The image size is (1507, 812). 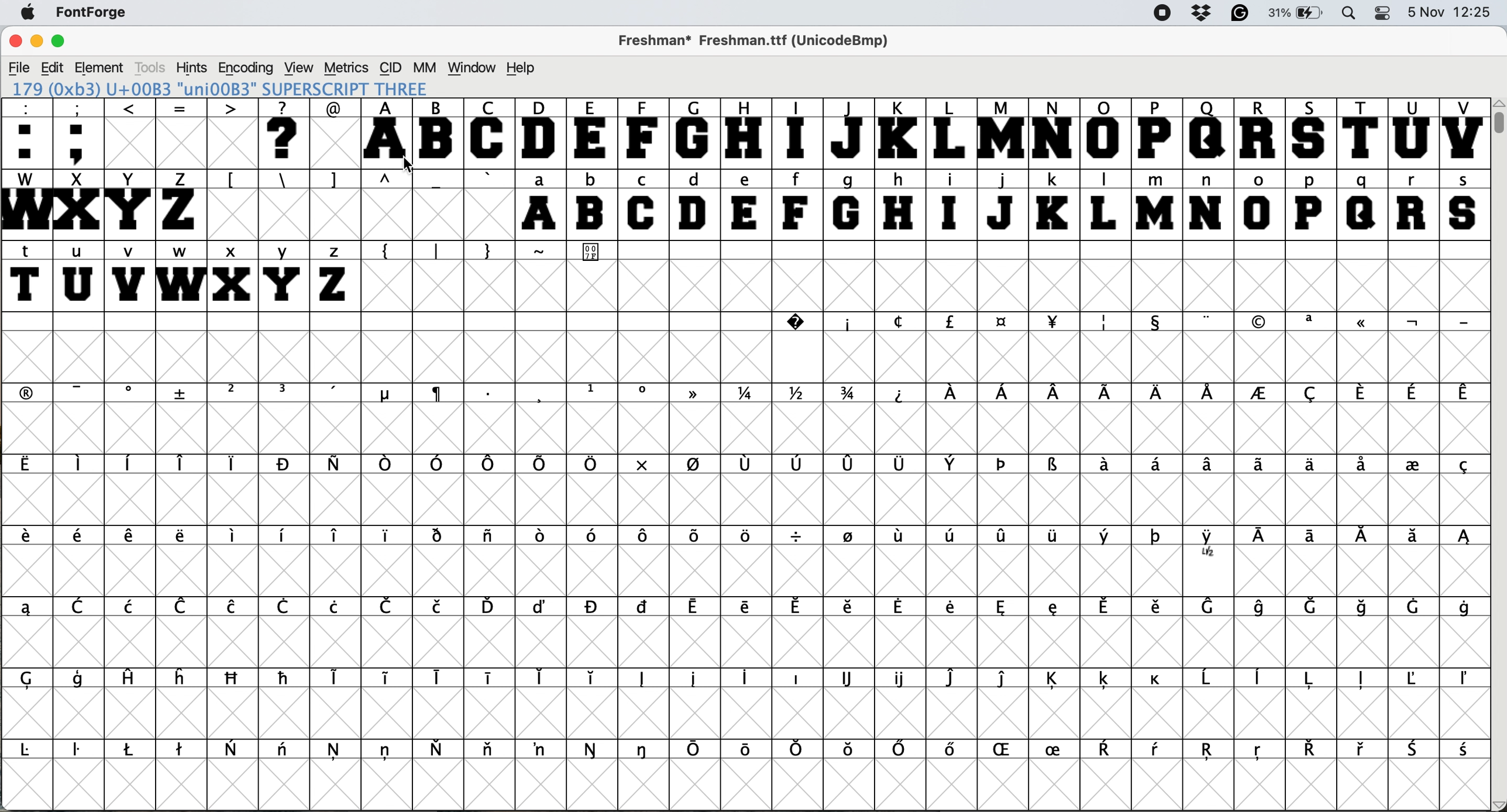 What do you see at coordinates (1054, 392) in the screenshot?
I see `symbol` at bounding box center [1054, 392].